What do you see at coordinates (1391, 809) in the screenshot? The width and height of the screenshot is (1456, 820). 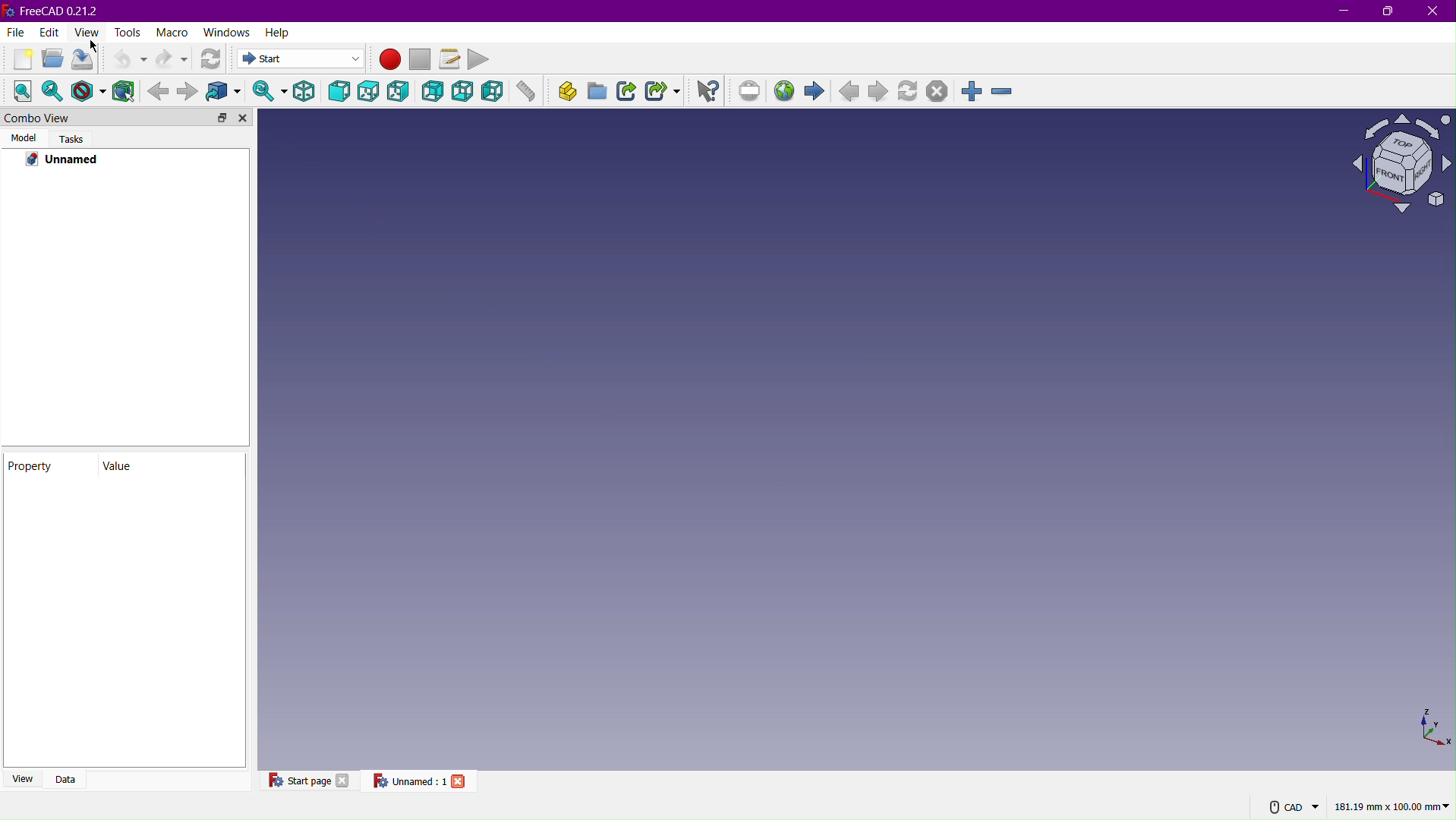 I see `181.19mm x 100.00 mm` at bounding box center [1391, 809].